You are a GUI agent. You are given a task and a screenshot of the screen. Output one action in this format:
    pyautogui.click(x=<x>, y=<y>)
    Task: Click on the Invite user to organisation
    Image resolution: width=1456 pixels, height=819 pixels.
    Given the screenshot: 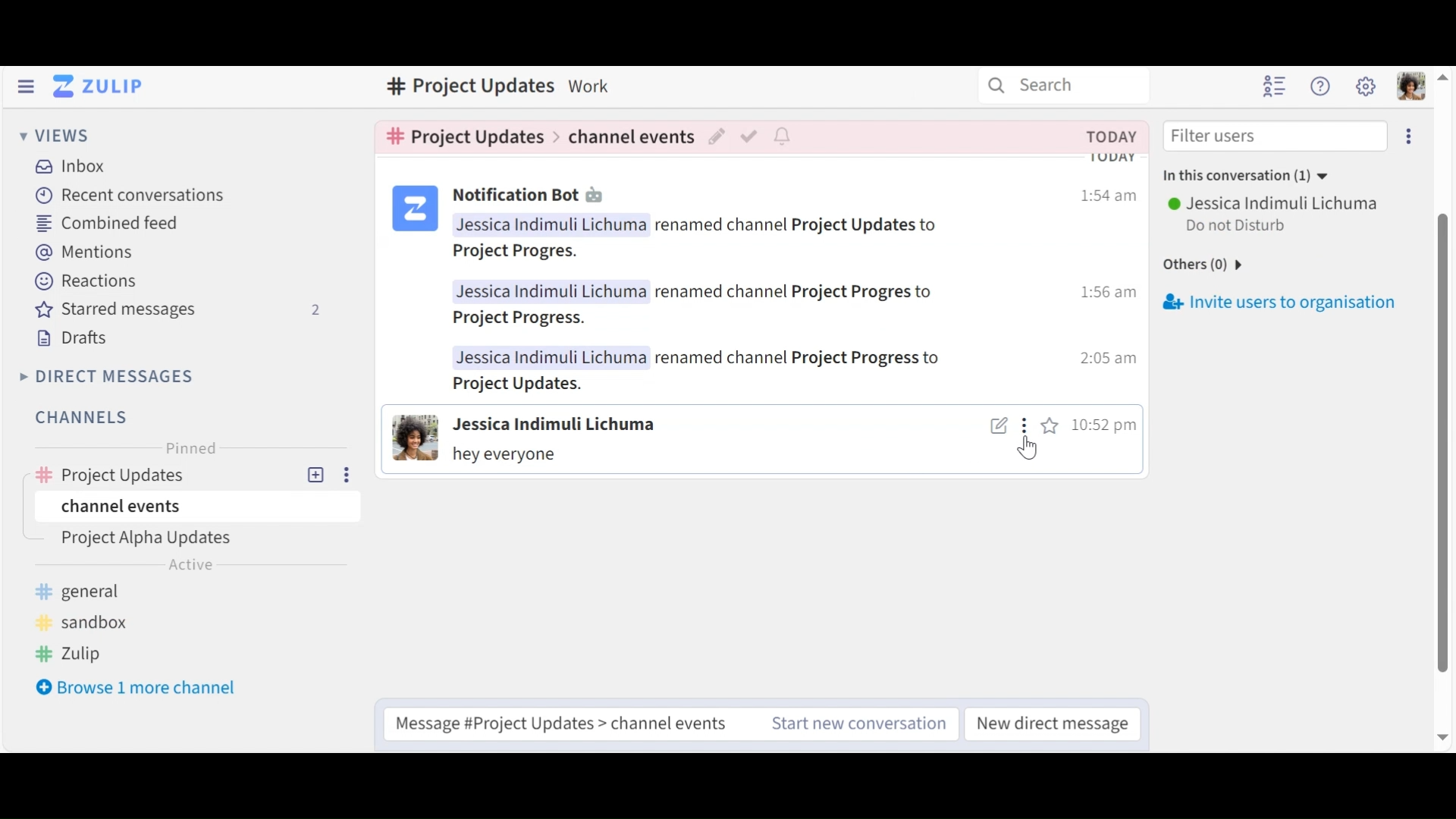 What is the action you would take?
    pyautogui.click(x=1407, y=138)
    